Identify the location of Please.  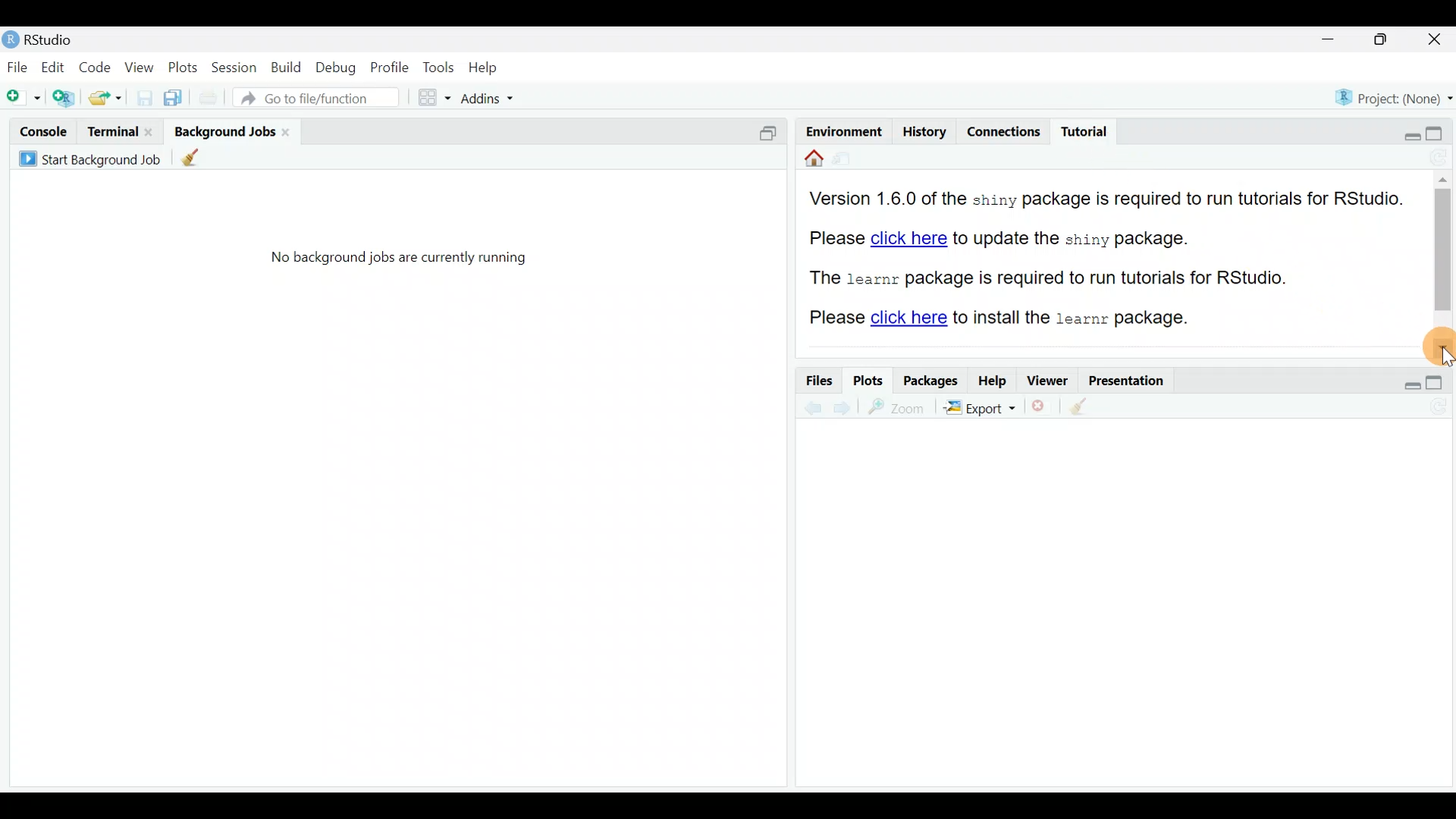
(836, 320).